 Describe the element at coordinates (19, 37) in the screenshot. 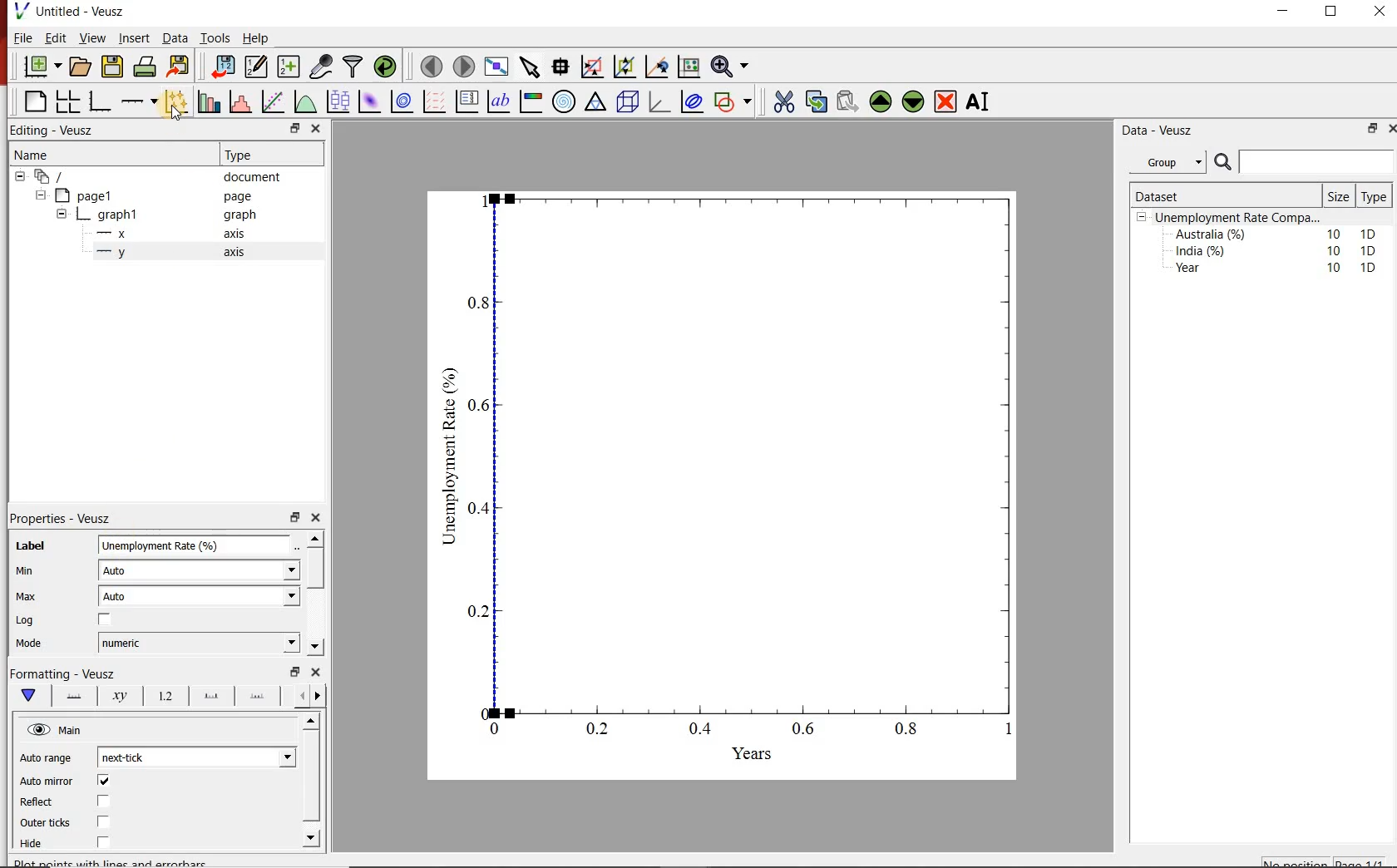

I see `| File` at that location.